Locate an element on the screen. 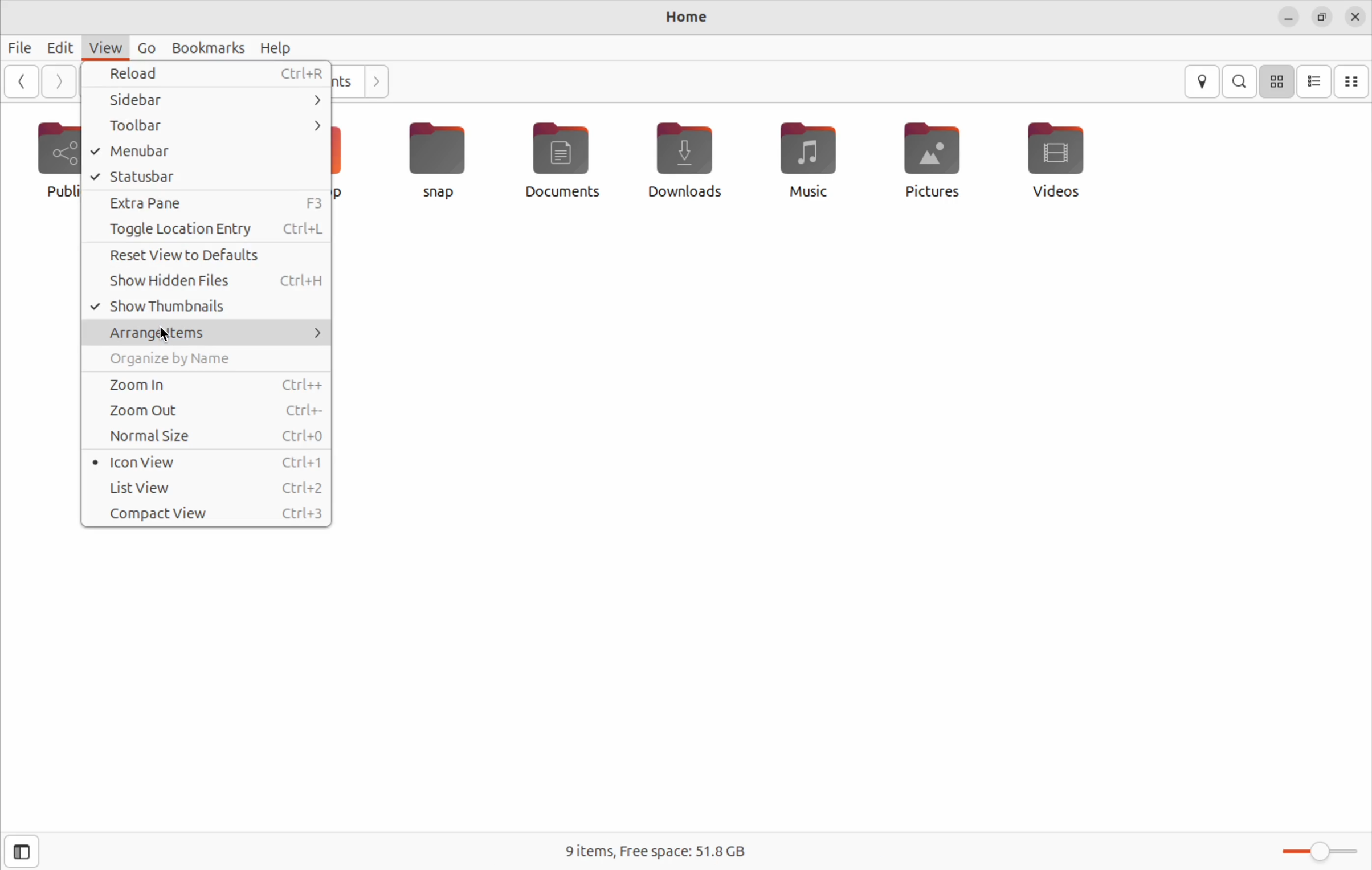 The height and width of the screenshot is (870, 1372). stautus bar is located at coordinates (205, 178).